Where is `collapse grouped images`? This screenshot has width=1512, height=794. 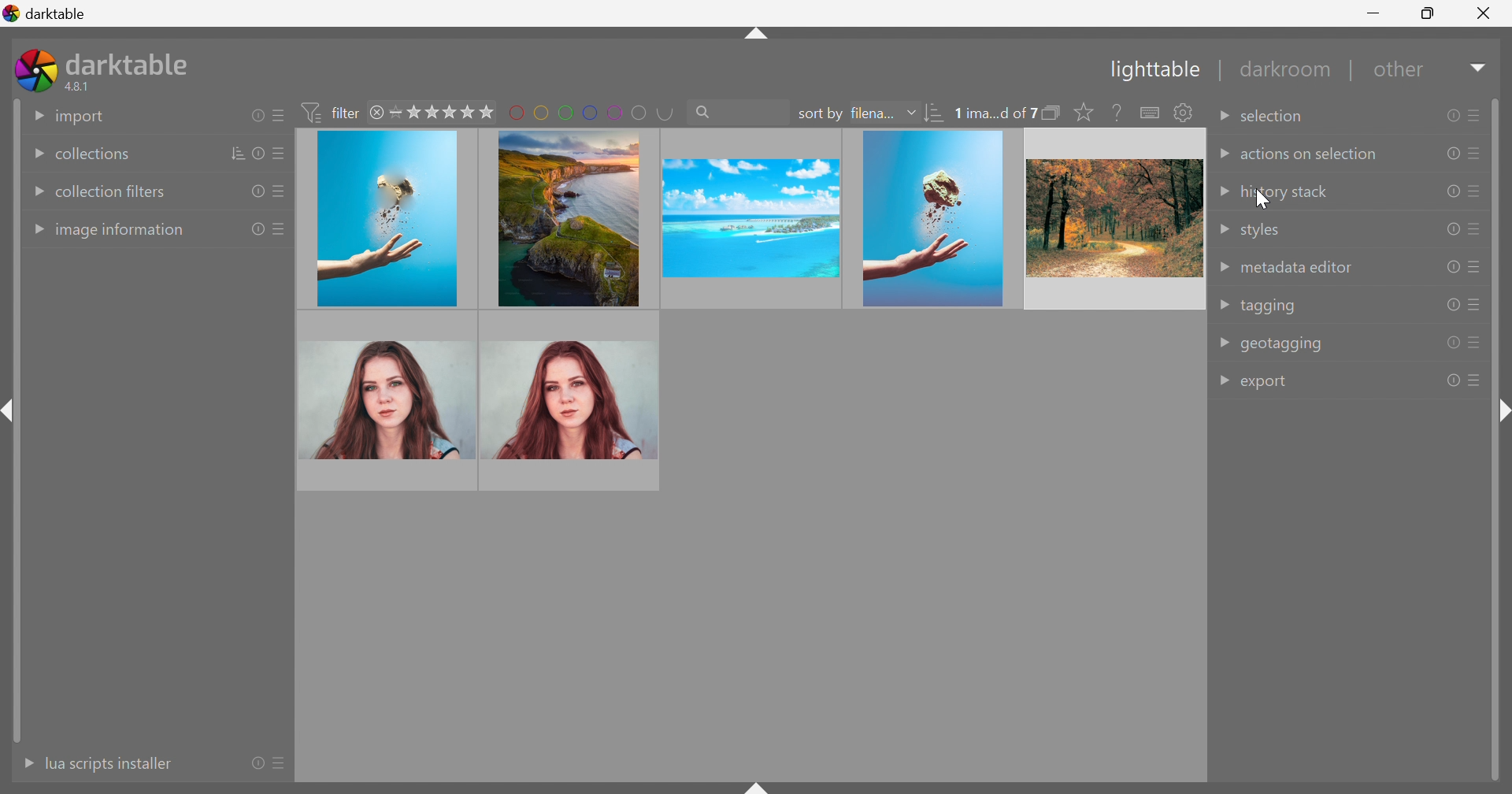
collapse grouped images is located at coordinates (1052, 113).